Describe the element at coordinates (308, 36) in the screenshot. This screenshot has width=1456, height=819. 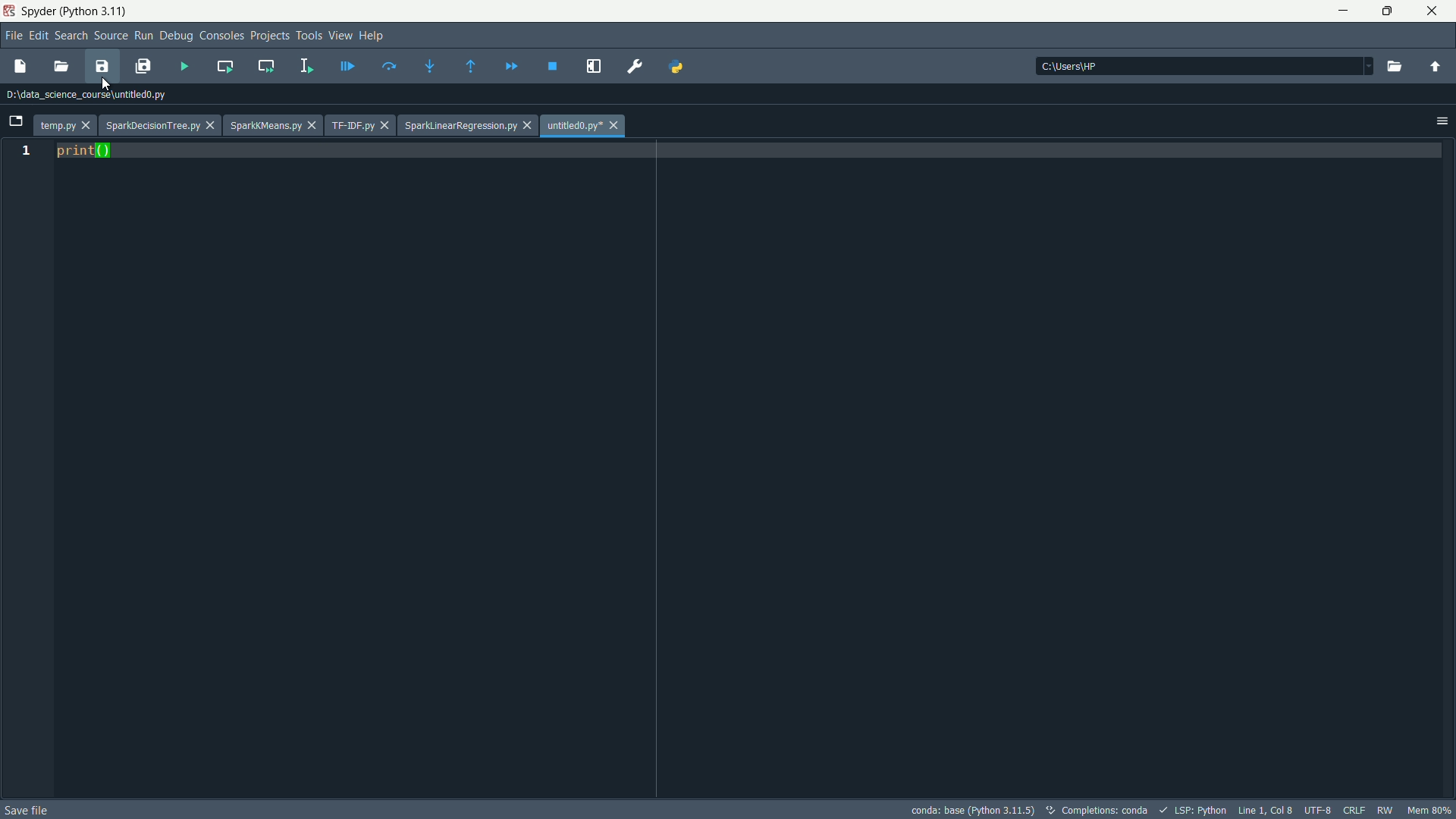
I see `Tools` at that location.